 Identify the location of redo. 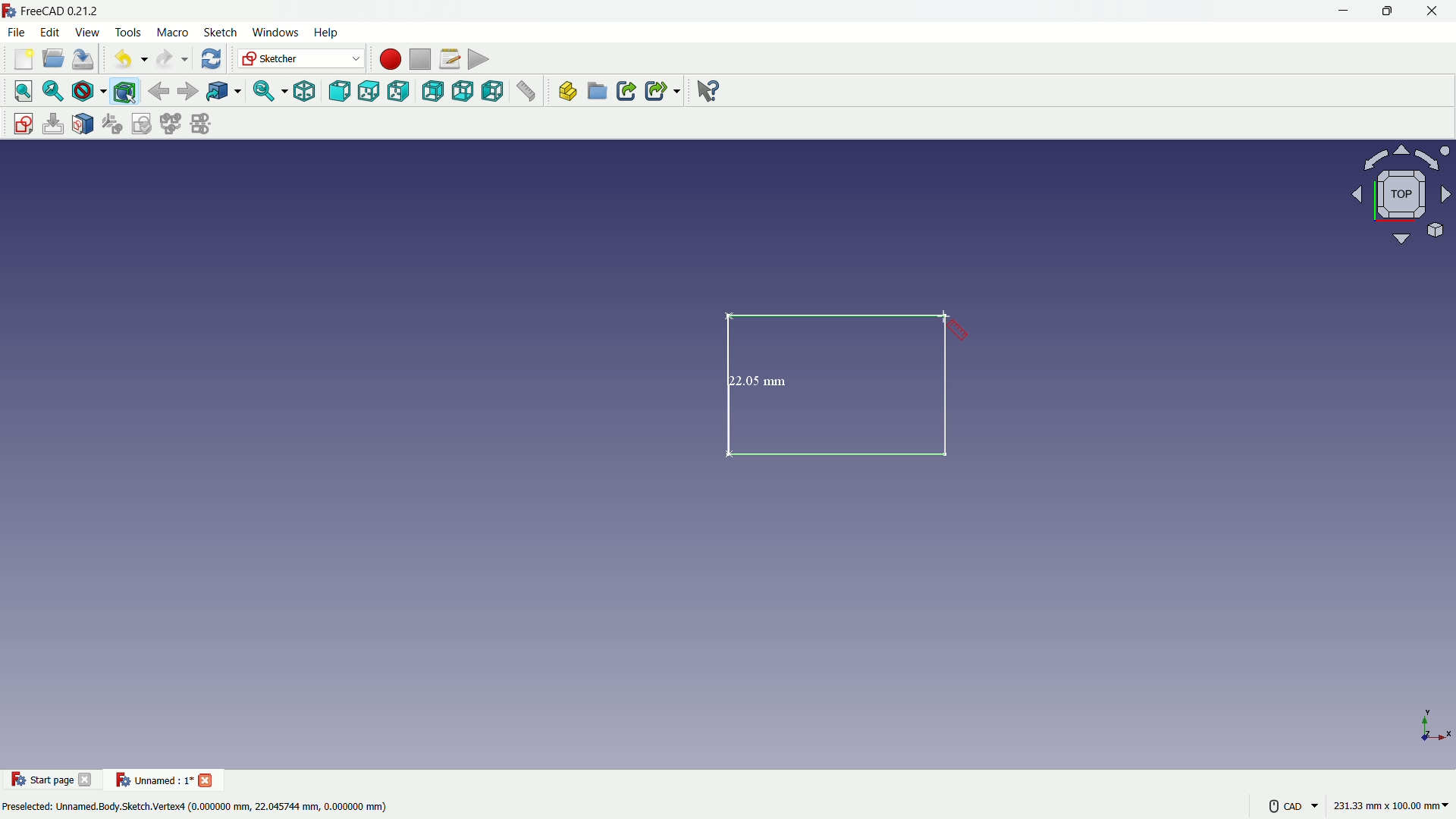
(170, 59).